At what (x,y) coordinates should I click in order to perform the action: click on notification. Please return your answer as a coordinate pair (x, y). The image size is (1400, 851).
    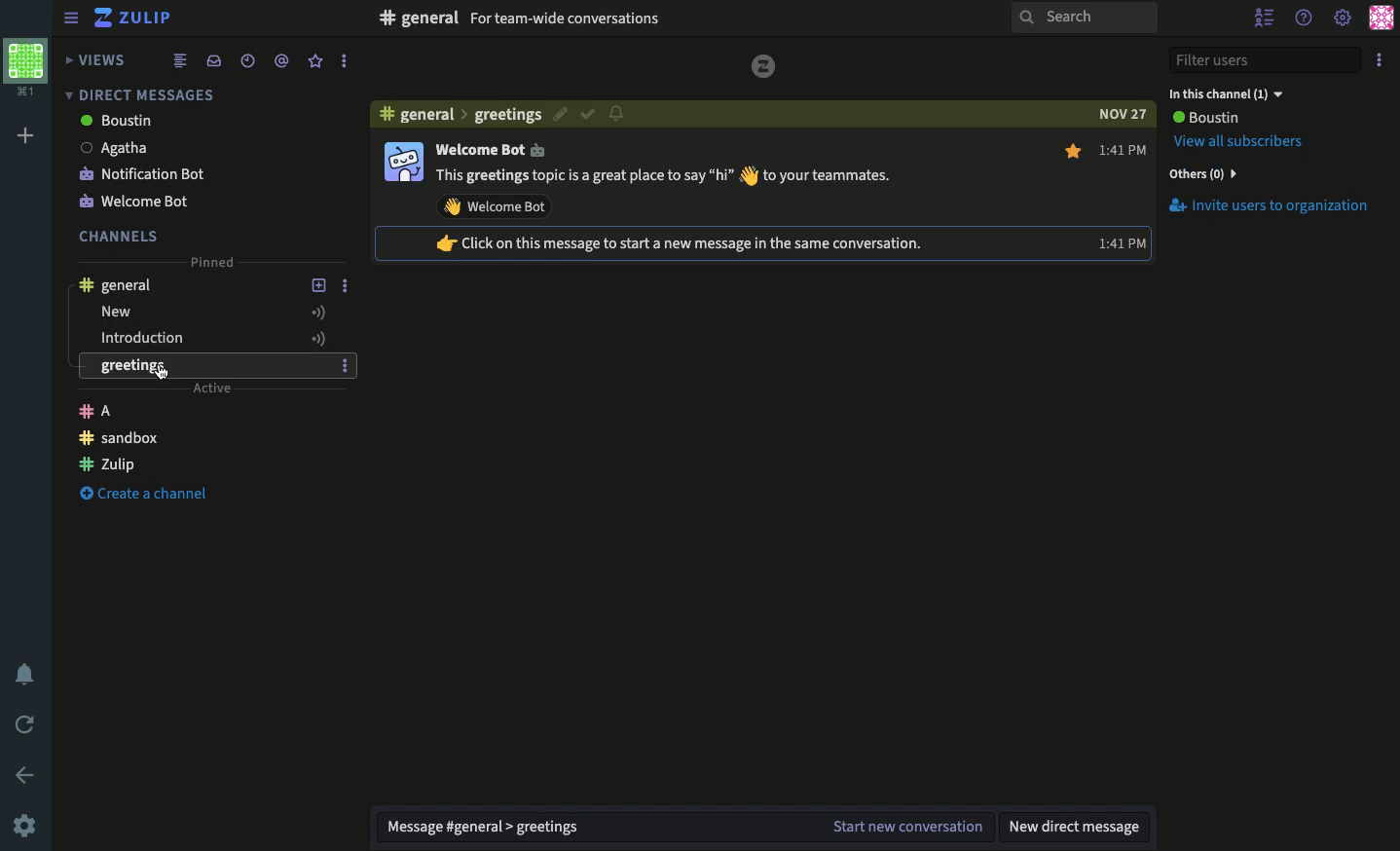
    Looking at the image, I should click on (618, 112).